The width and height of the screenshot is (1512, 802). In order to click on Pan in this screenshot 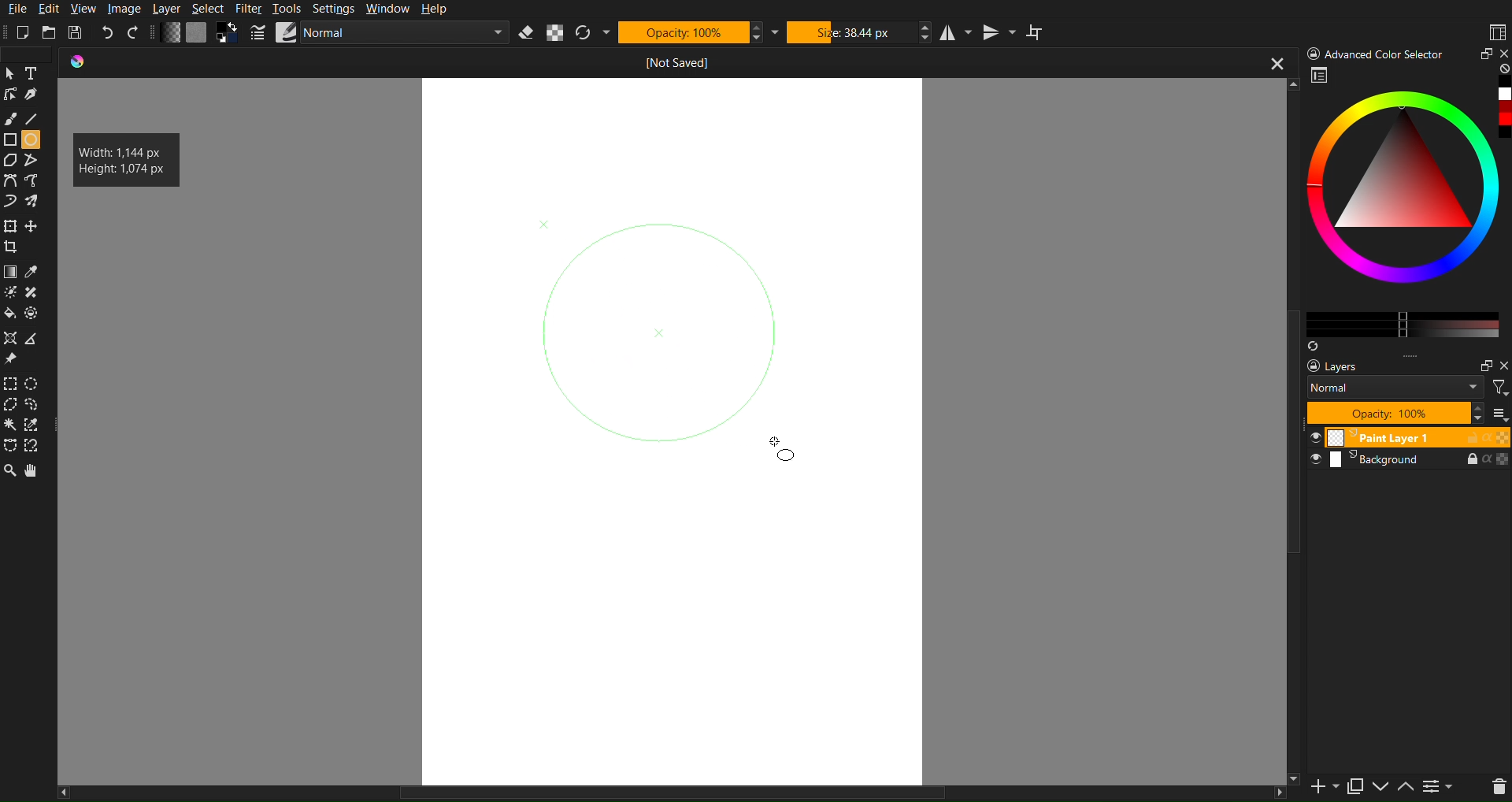, I will do `click(36, 473)`.